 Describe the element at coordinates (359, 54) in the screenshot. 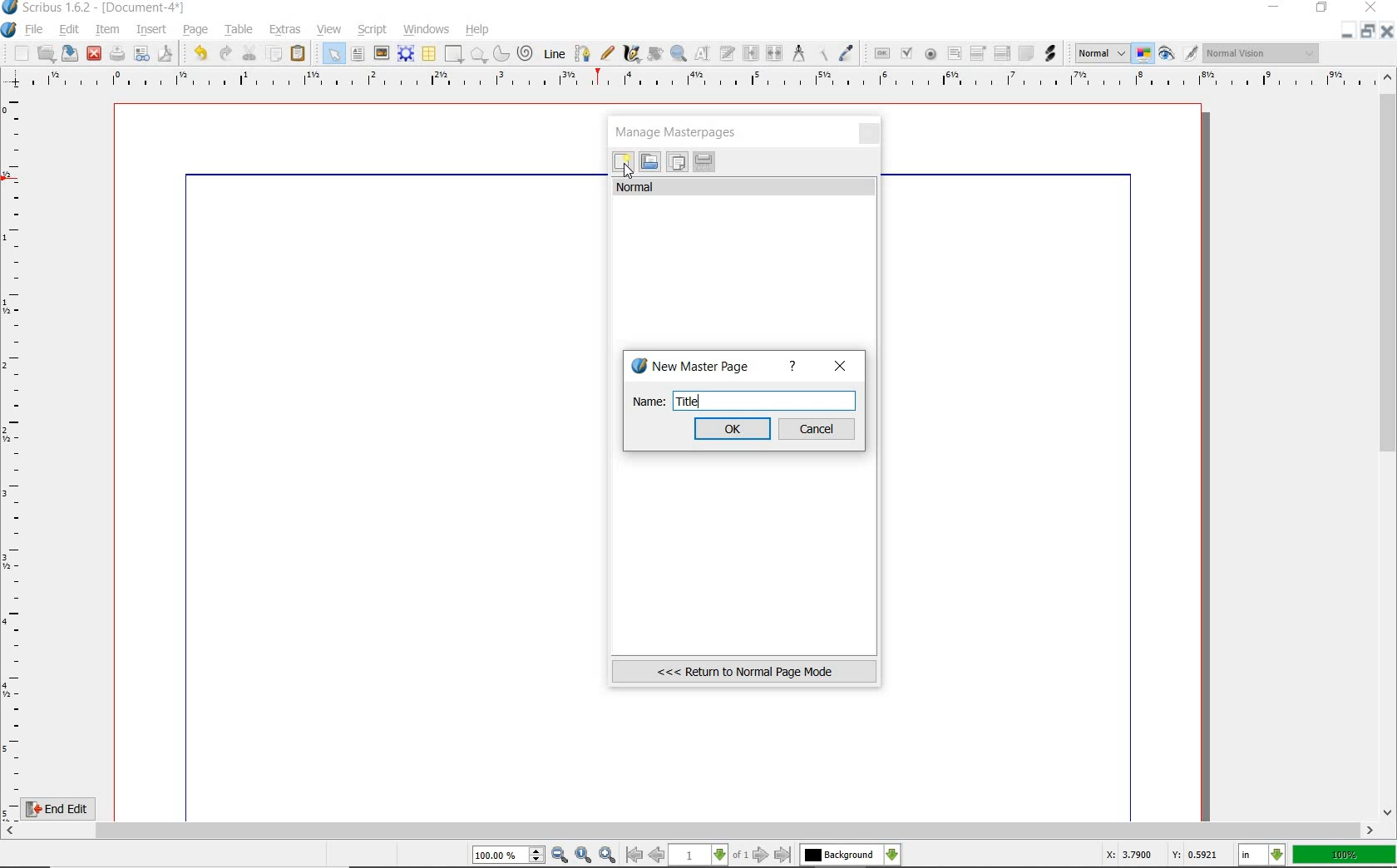

I see `text frame` at that location.